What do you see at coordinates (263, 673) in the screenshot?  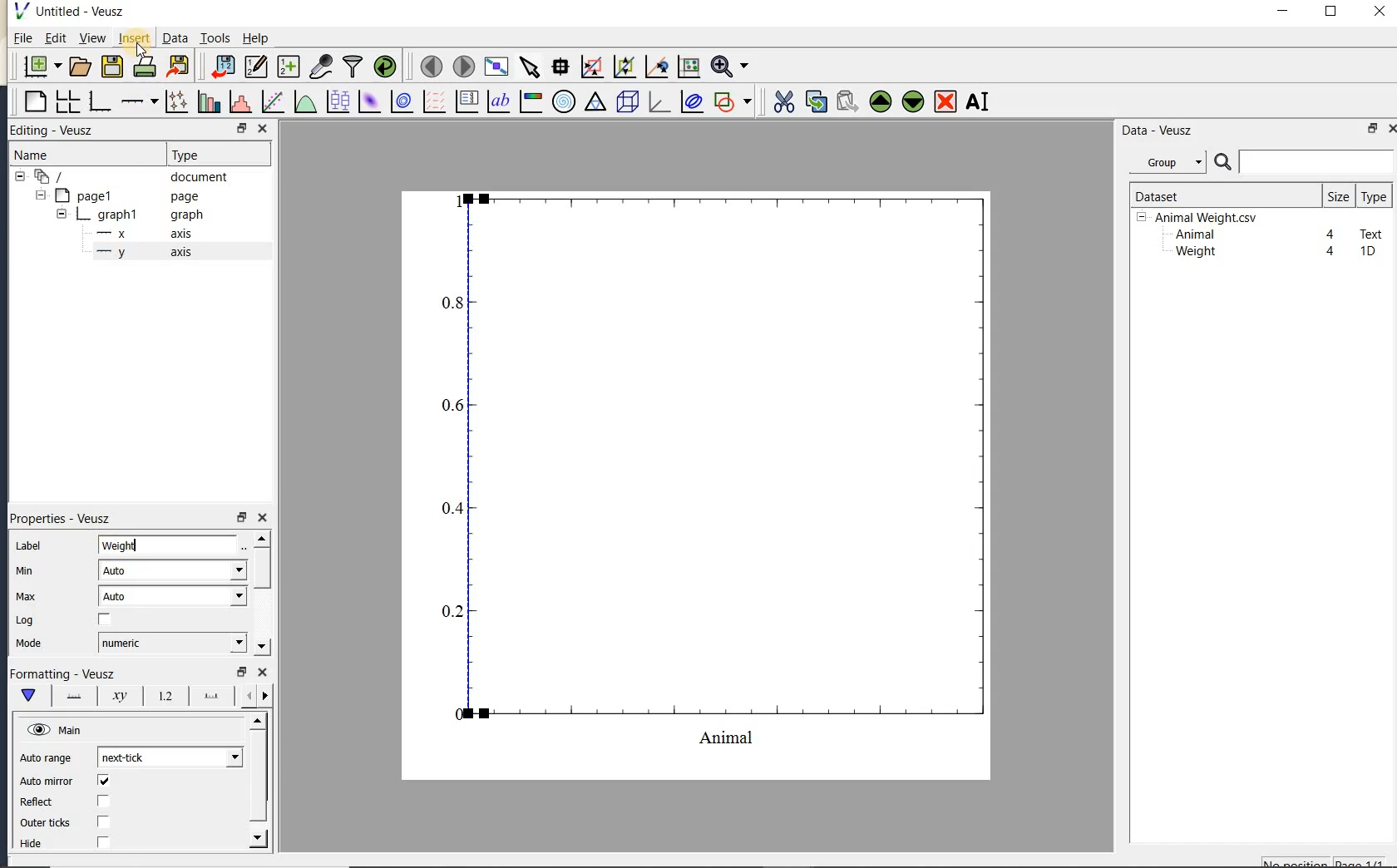 I see `close` at bounding box center [263, 673].